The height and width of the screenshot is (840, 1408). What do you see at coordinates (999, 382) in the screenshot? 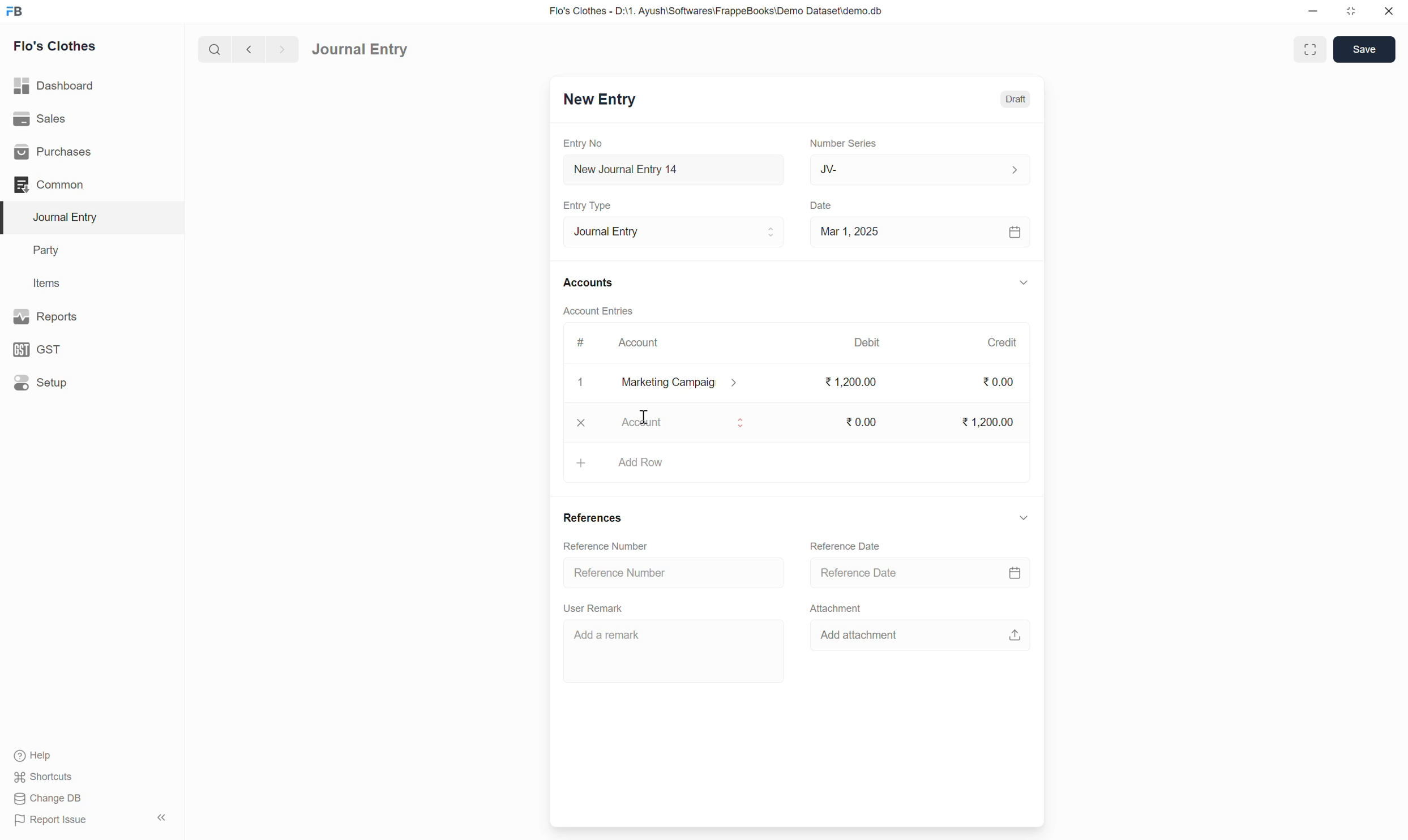
I see `0.00` at bounding box center [999, 382].